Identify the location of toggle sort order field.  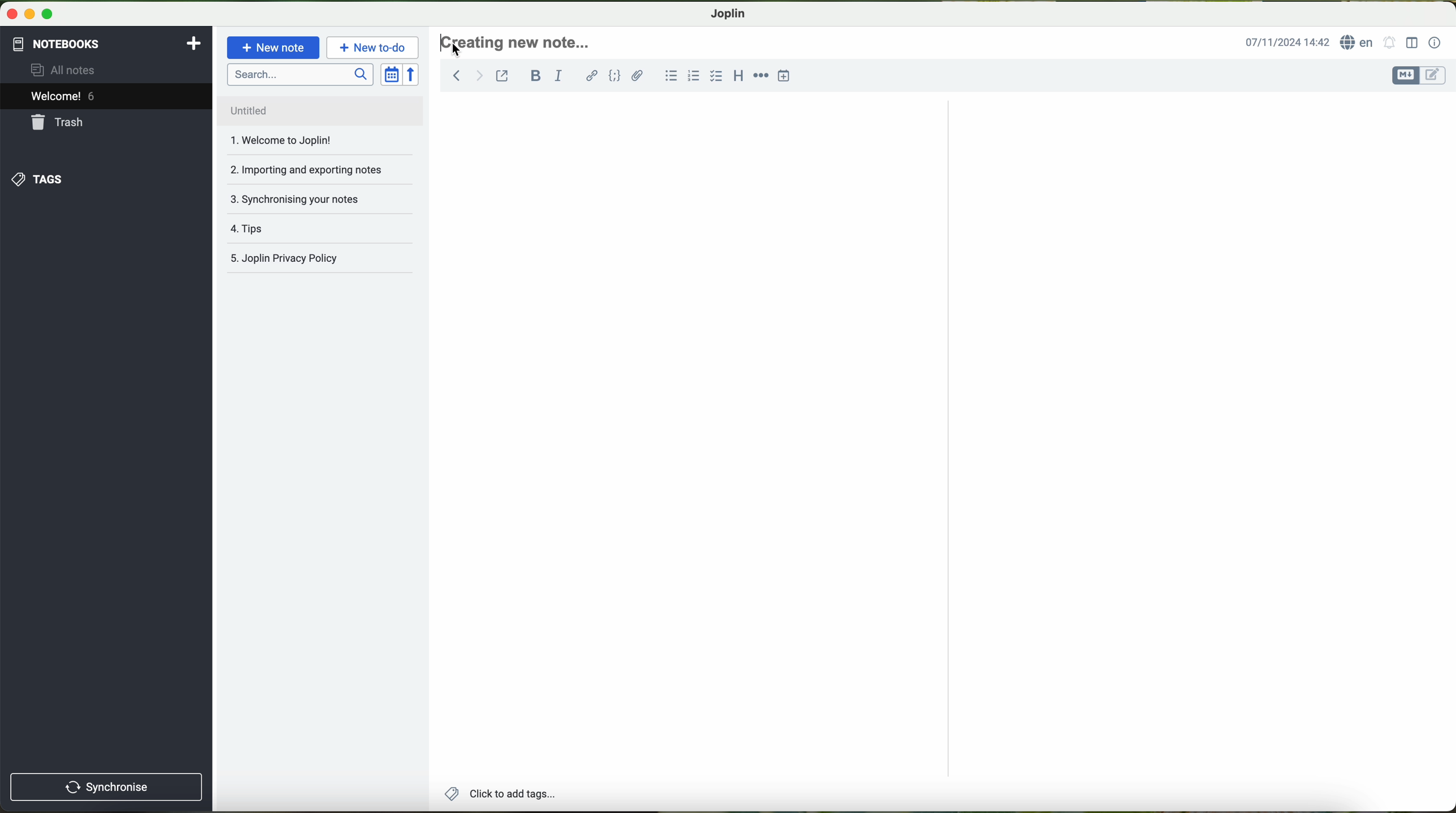
(389, 75).